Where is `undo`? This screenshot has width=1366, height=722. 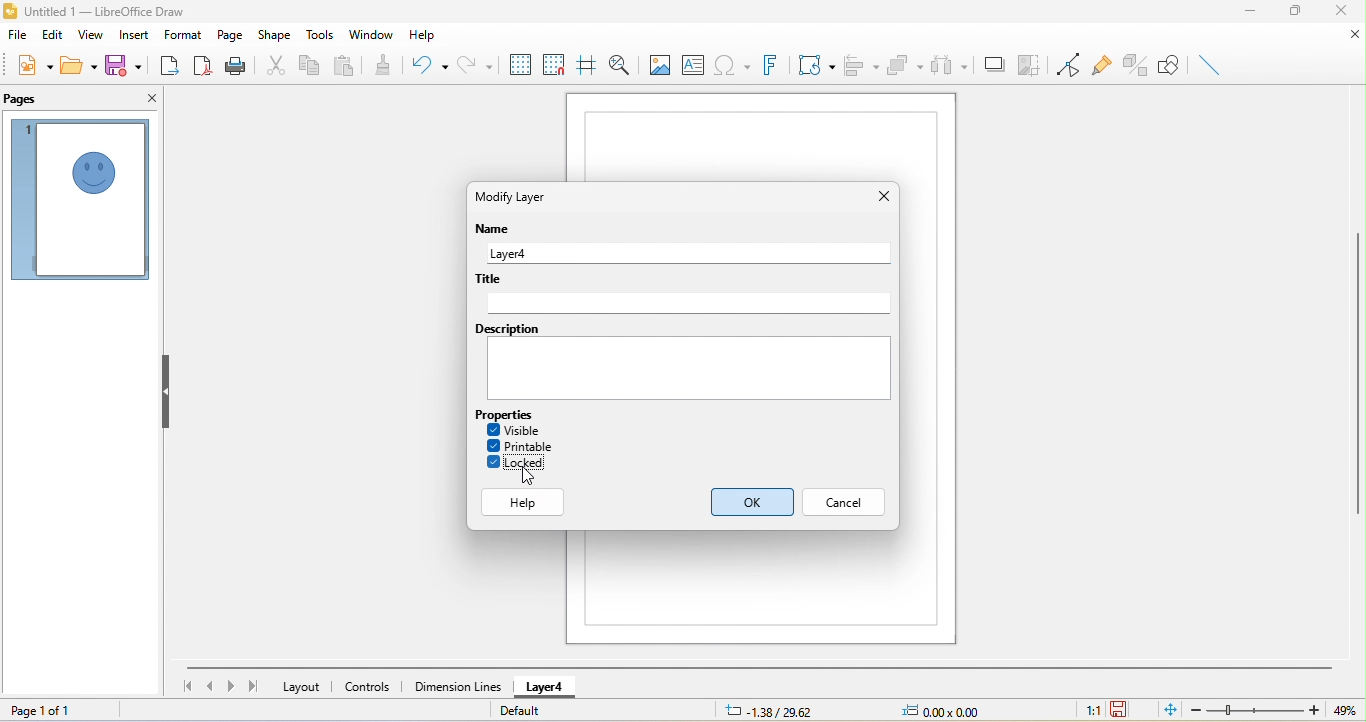
undo is located at coordinates (430, 67).